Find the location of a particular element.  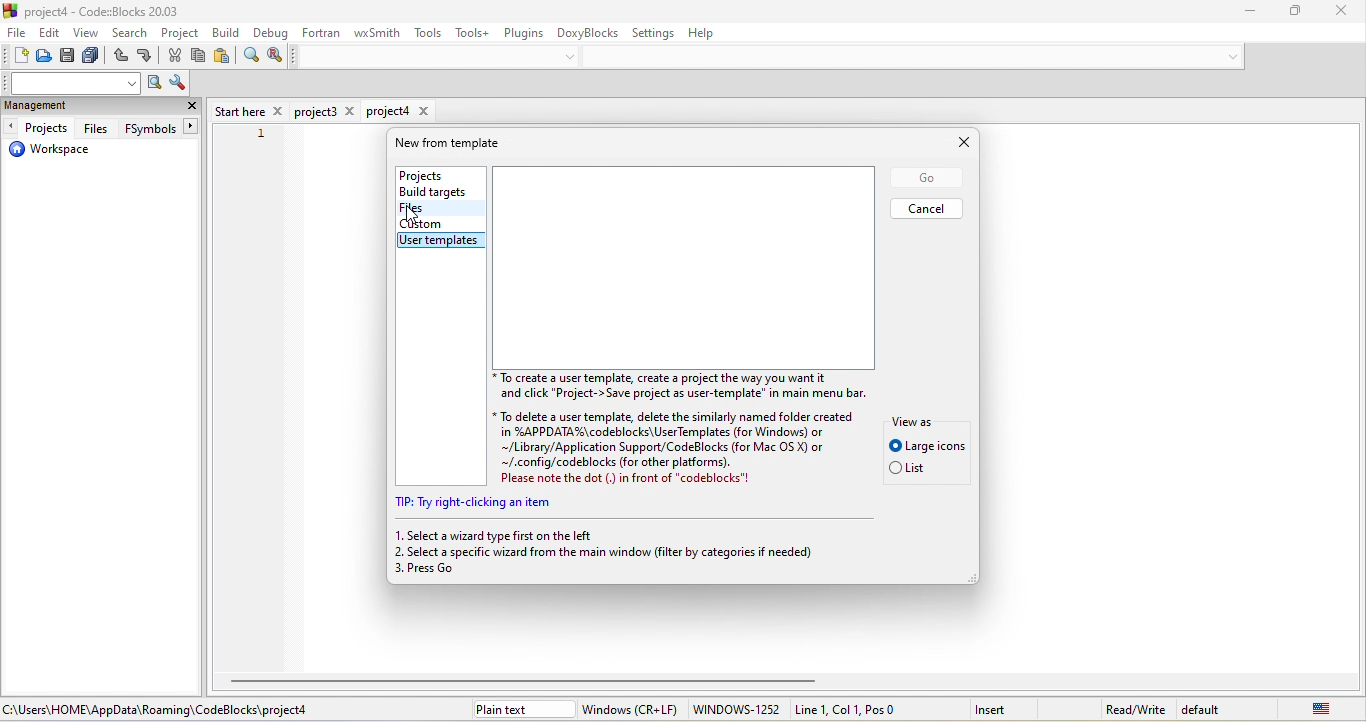

start here is located at coordinates (249, 110).